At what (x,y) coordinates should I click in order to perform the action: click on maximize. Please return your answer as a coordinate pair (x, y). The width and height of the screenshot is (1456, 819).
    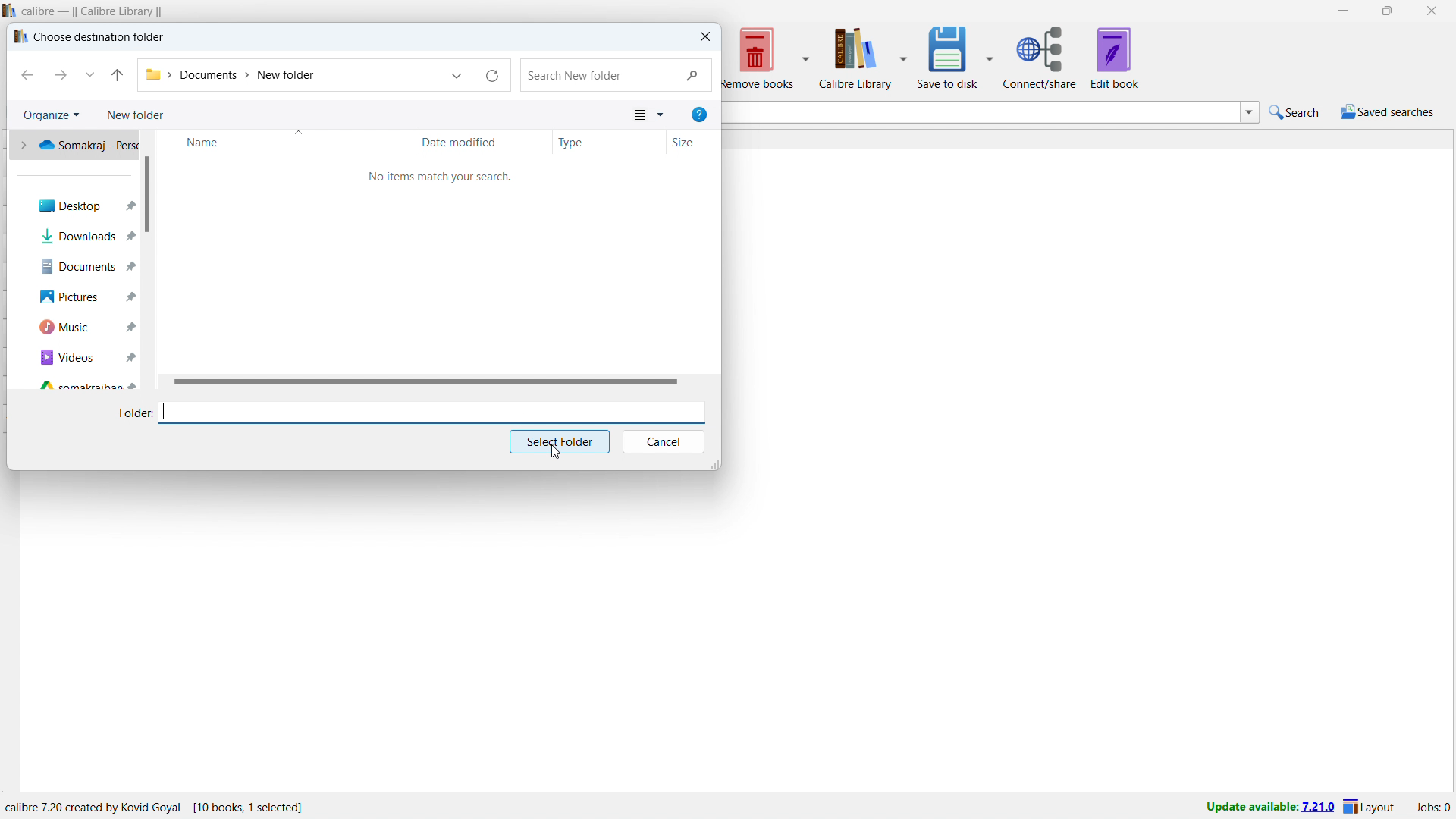
    Looking at the image, I should click on (1391, 11).